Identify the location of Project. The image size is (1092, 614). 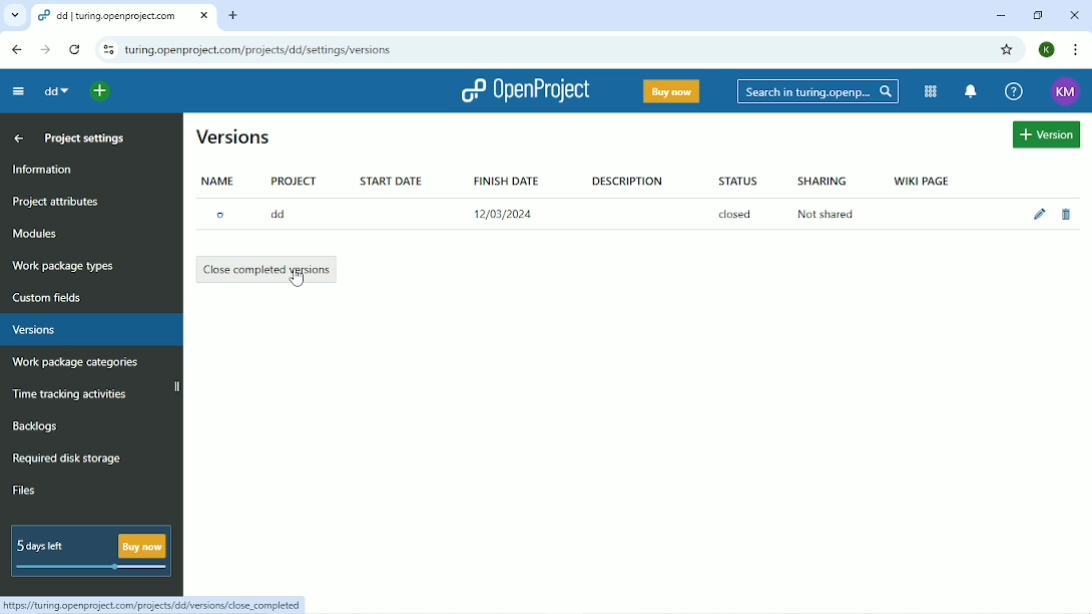
(293, 179).